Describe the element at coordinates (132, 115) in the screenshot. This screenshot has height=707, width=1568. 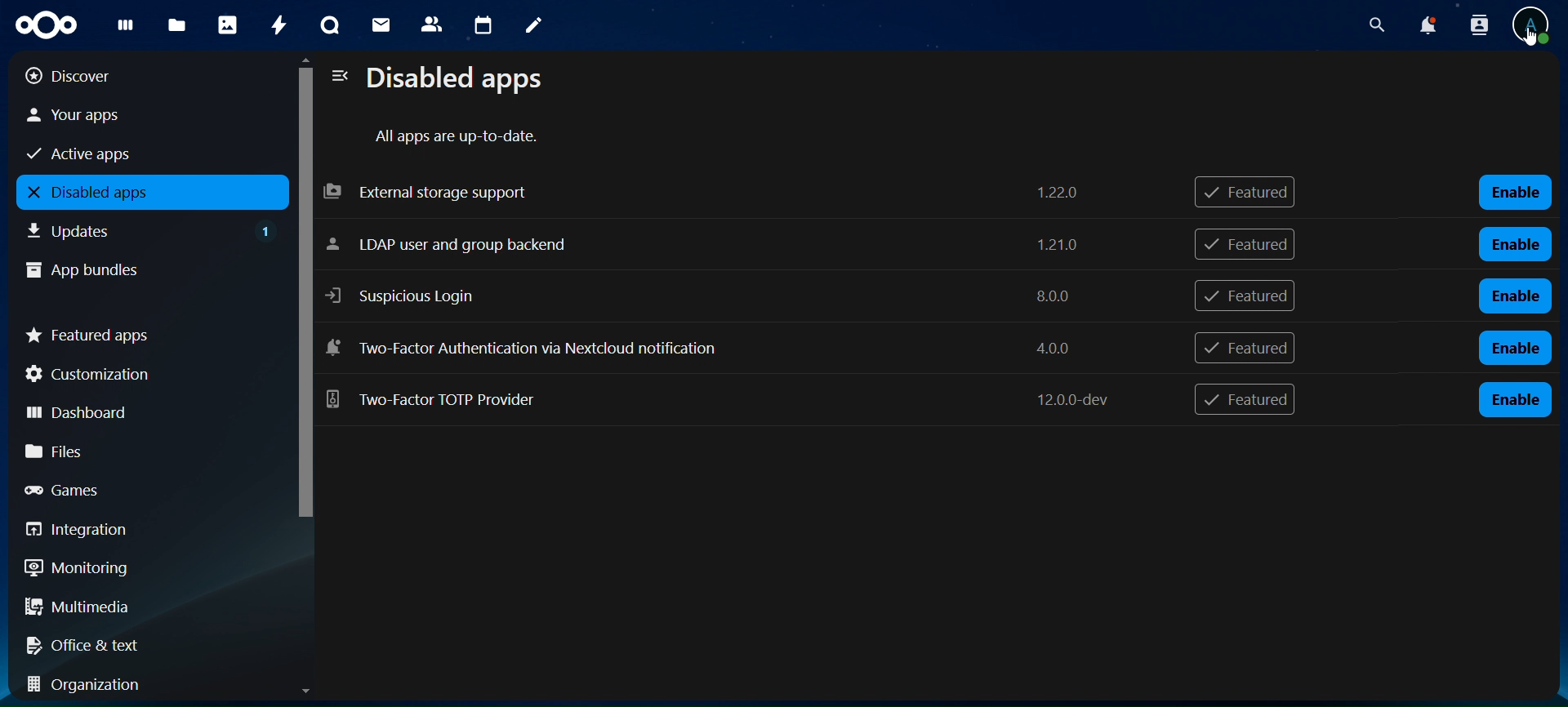
I see `your apps` at that location.